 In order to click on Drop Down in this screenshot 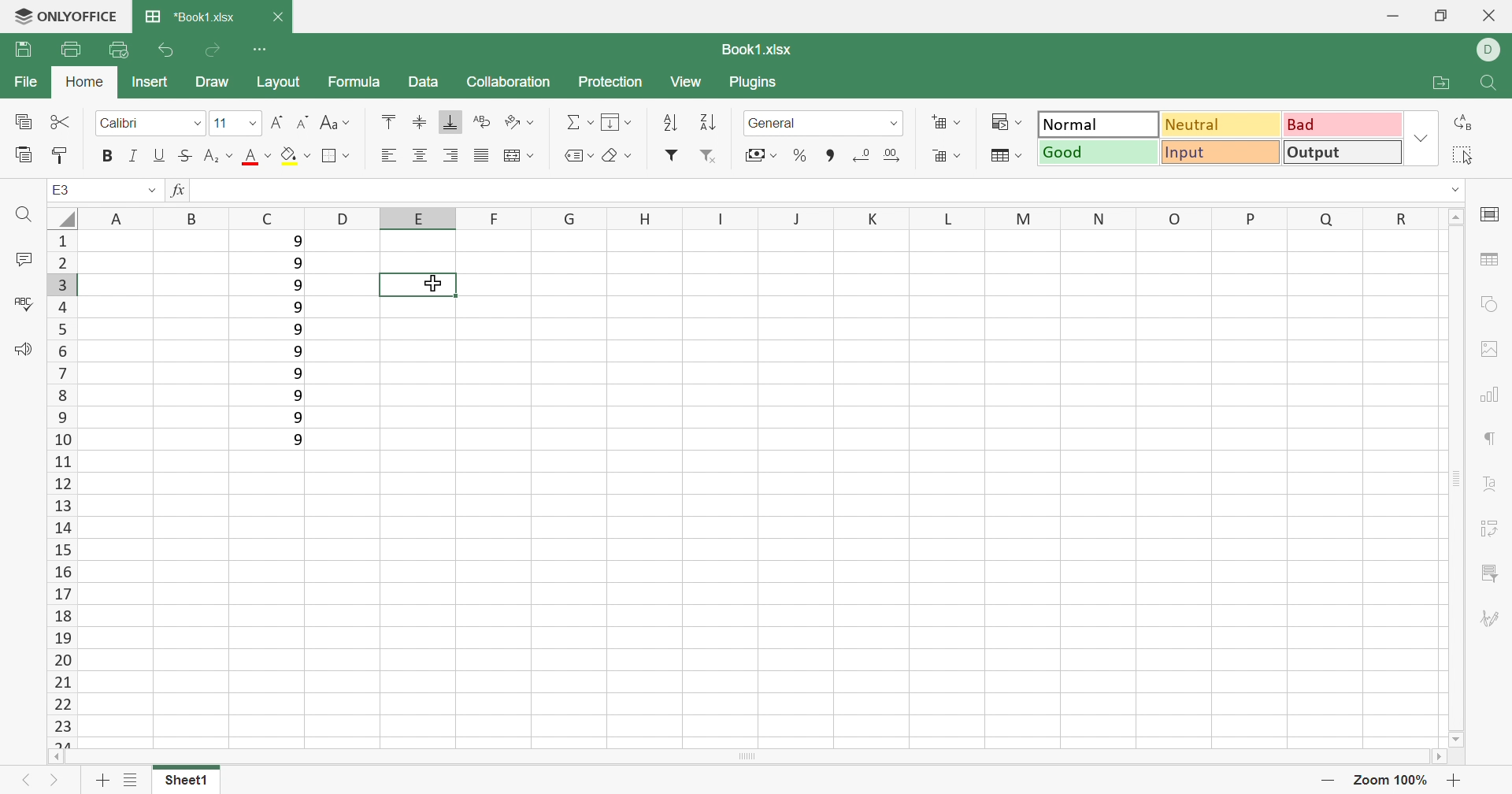, I will do `click(1454, 189)`.